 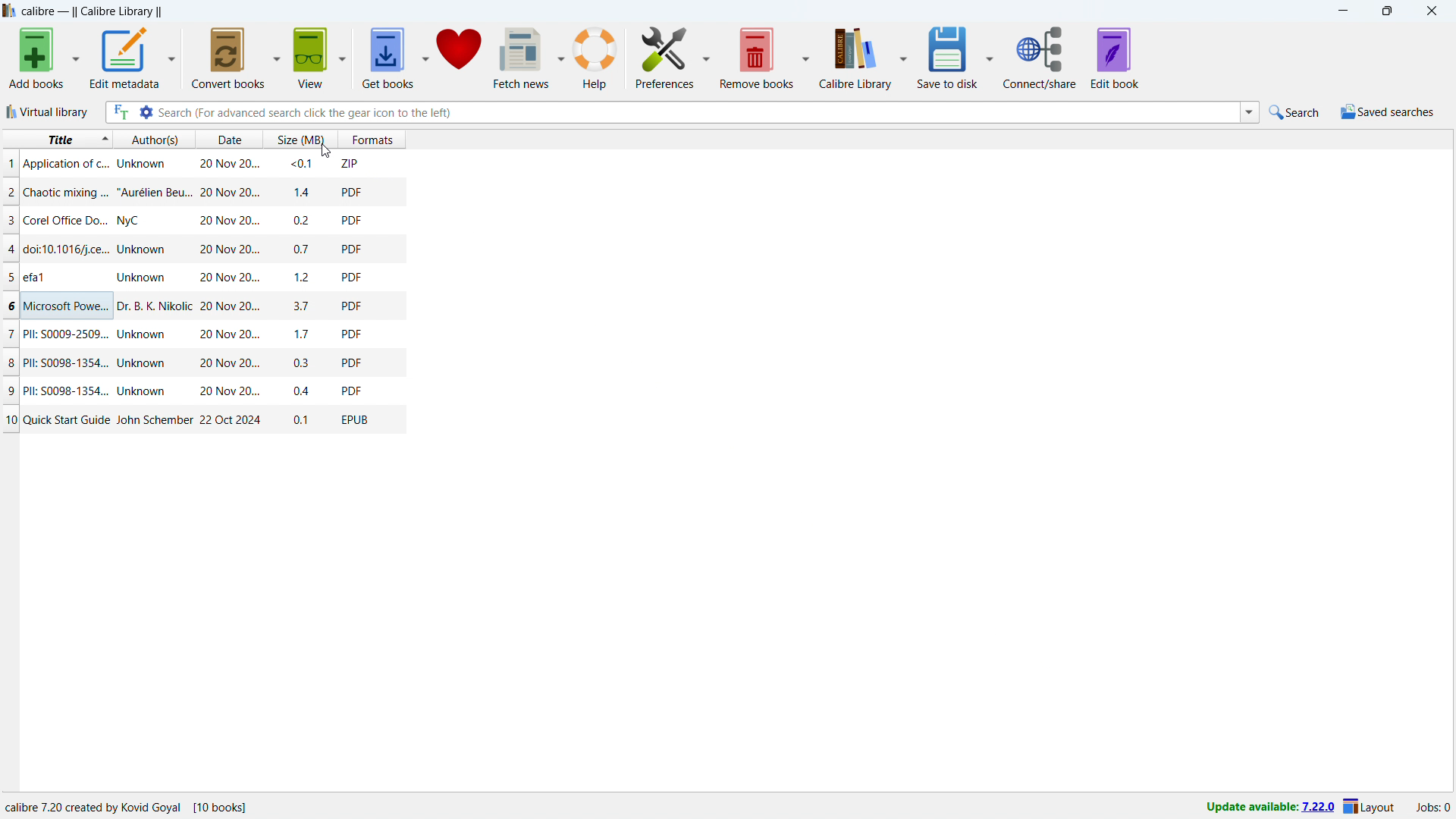 What do you see at coordinates (9, 306) in the screenshot?
I see `6` at bounding box center [9, 306].